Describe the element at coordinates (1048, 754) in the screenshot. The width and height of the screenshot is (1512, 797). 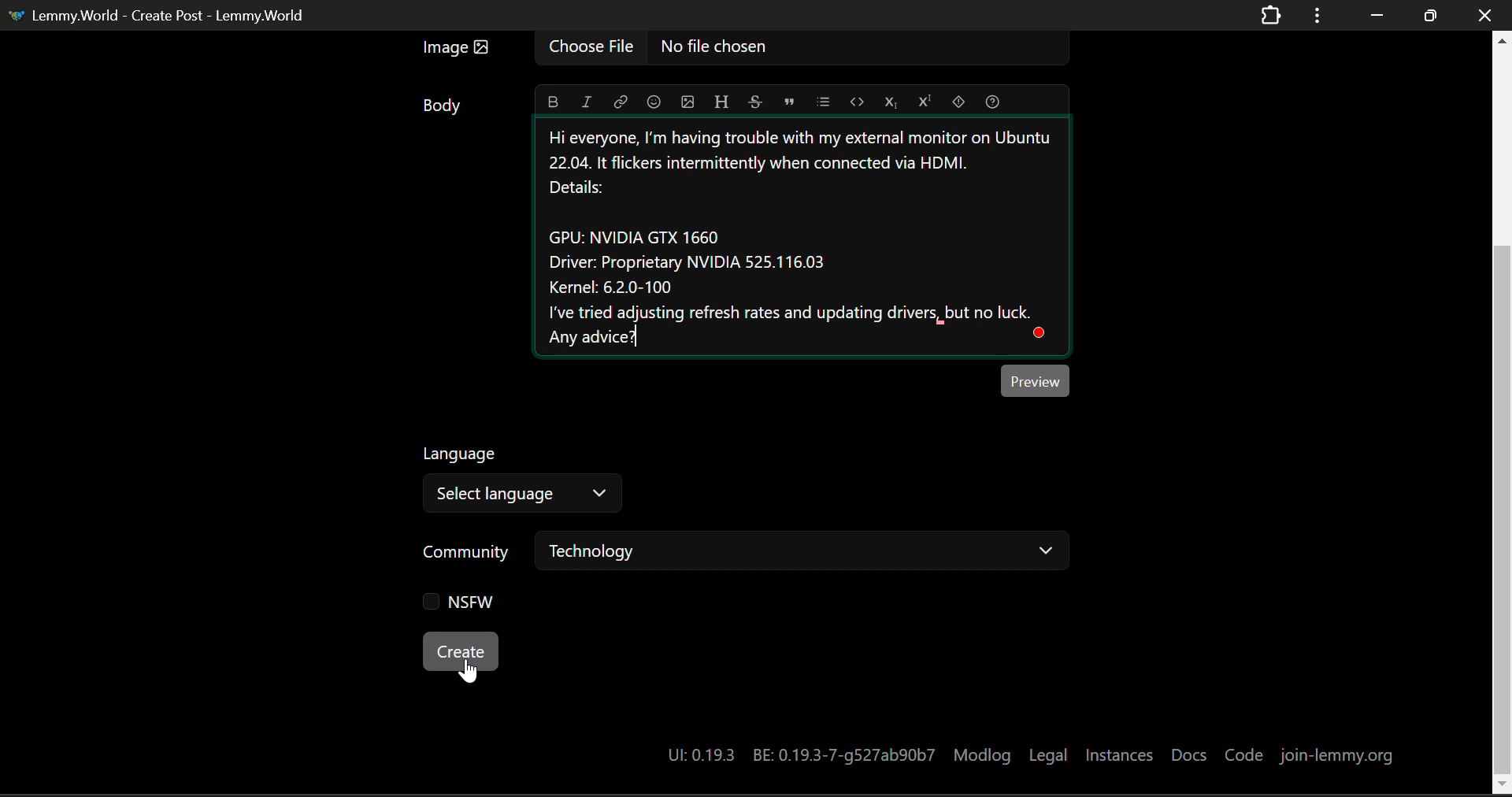
I see `Legal` at that location.